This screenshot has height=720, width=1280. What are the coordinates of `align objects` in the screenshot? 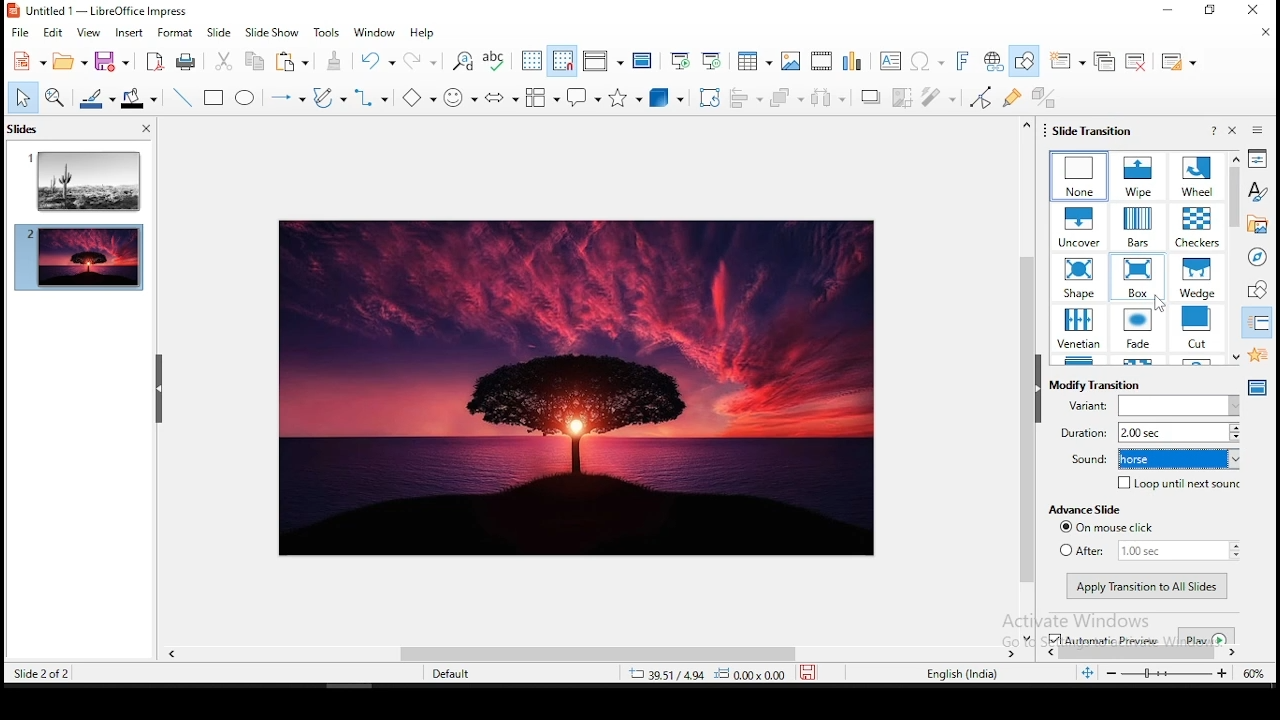 It's located at (749, 99).